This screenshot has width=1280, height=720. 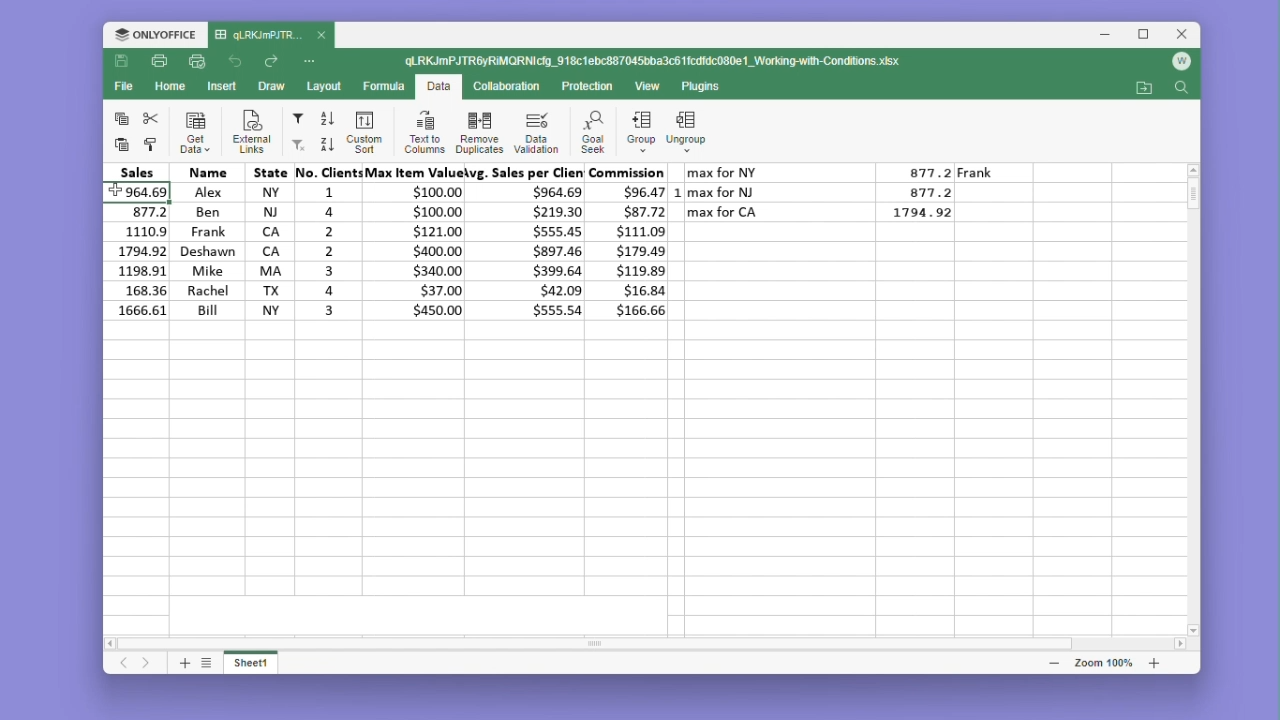 What do you see at coordinates (582, 87) in the screenshot?
I see `Protection` at bounding box center [582, 87].